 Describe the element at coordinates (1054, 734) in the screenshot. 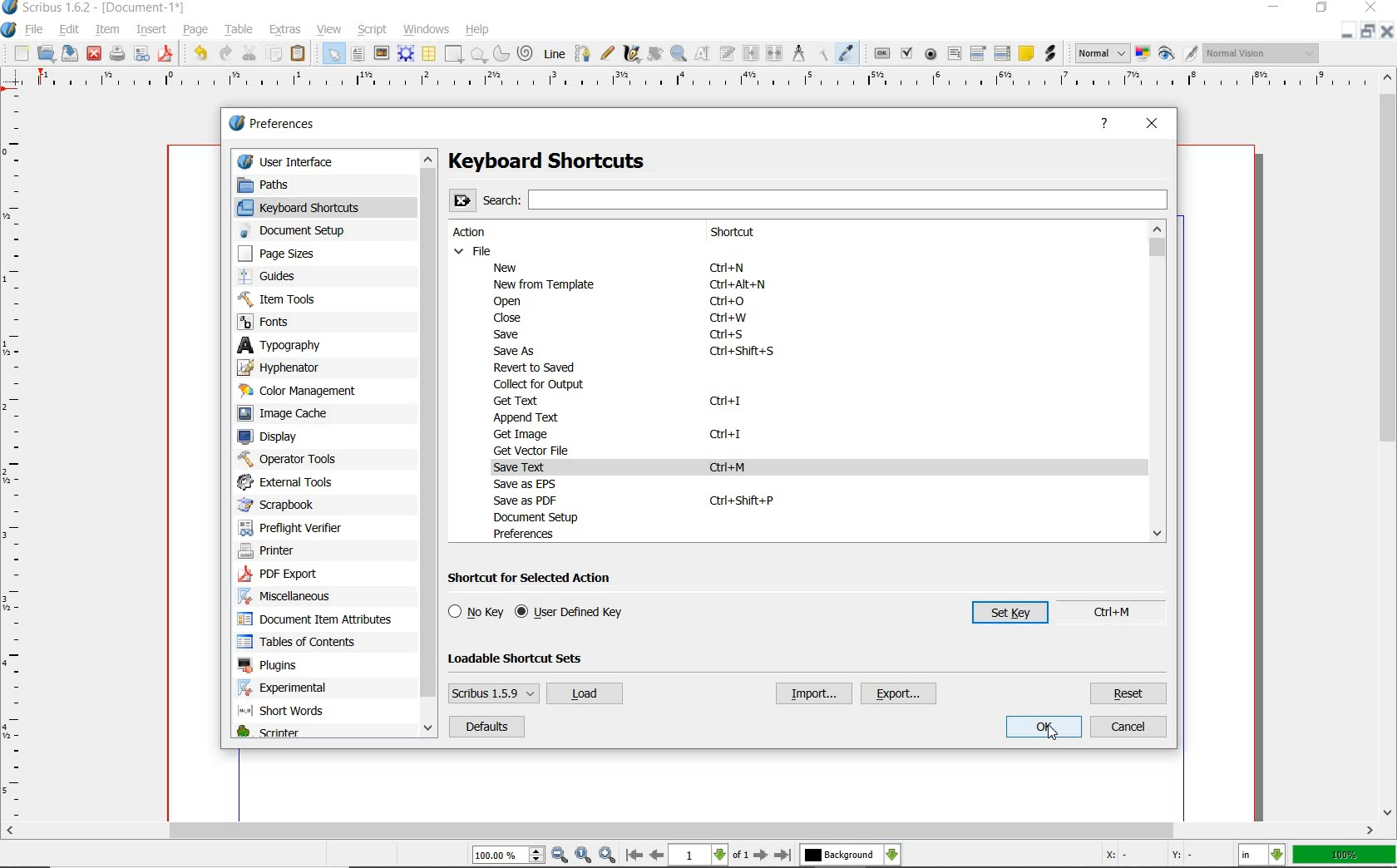

I see `cursor` at that location.